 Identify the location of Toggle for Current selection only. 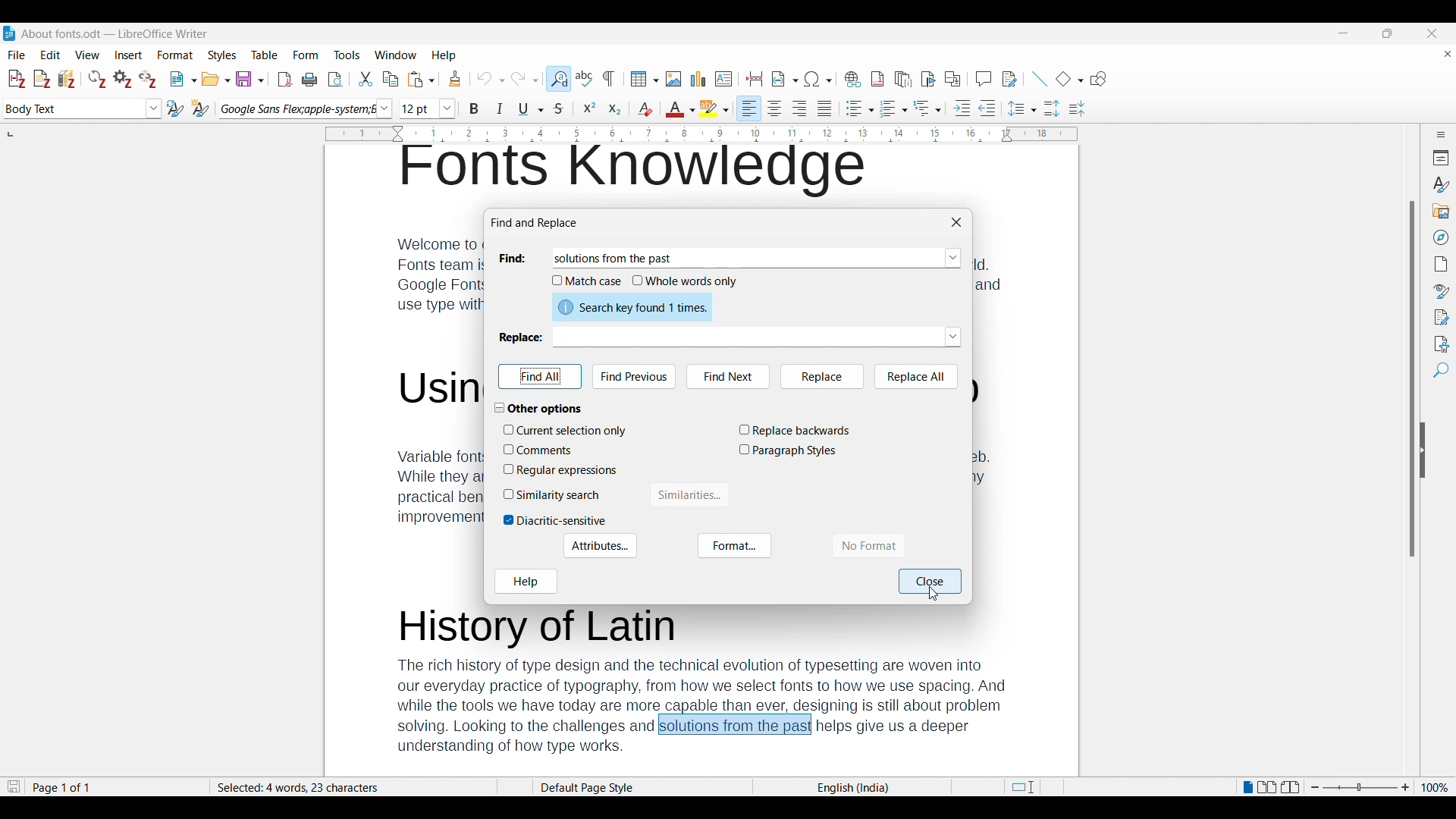
(566, 431).